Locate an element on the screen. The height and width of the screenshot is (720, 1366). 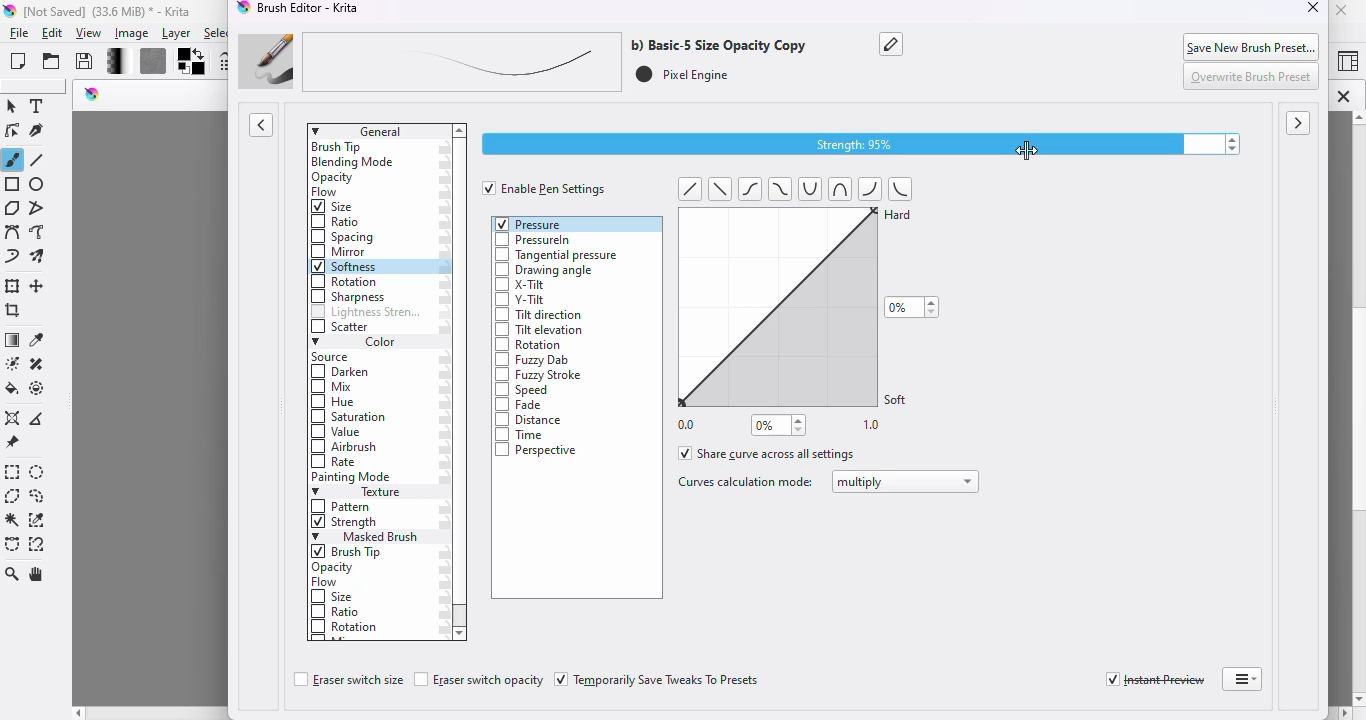
polygon tool is located at coordinates (12, 207).